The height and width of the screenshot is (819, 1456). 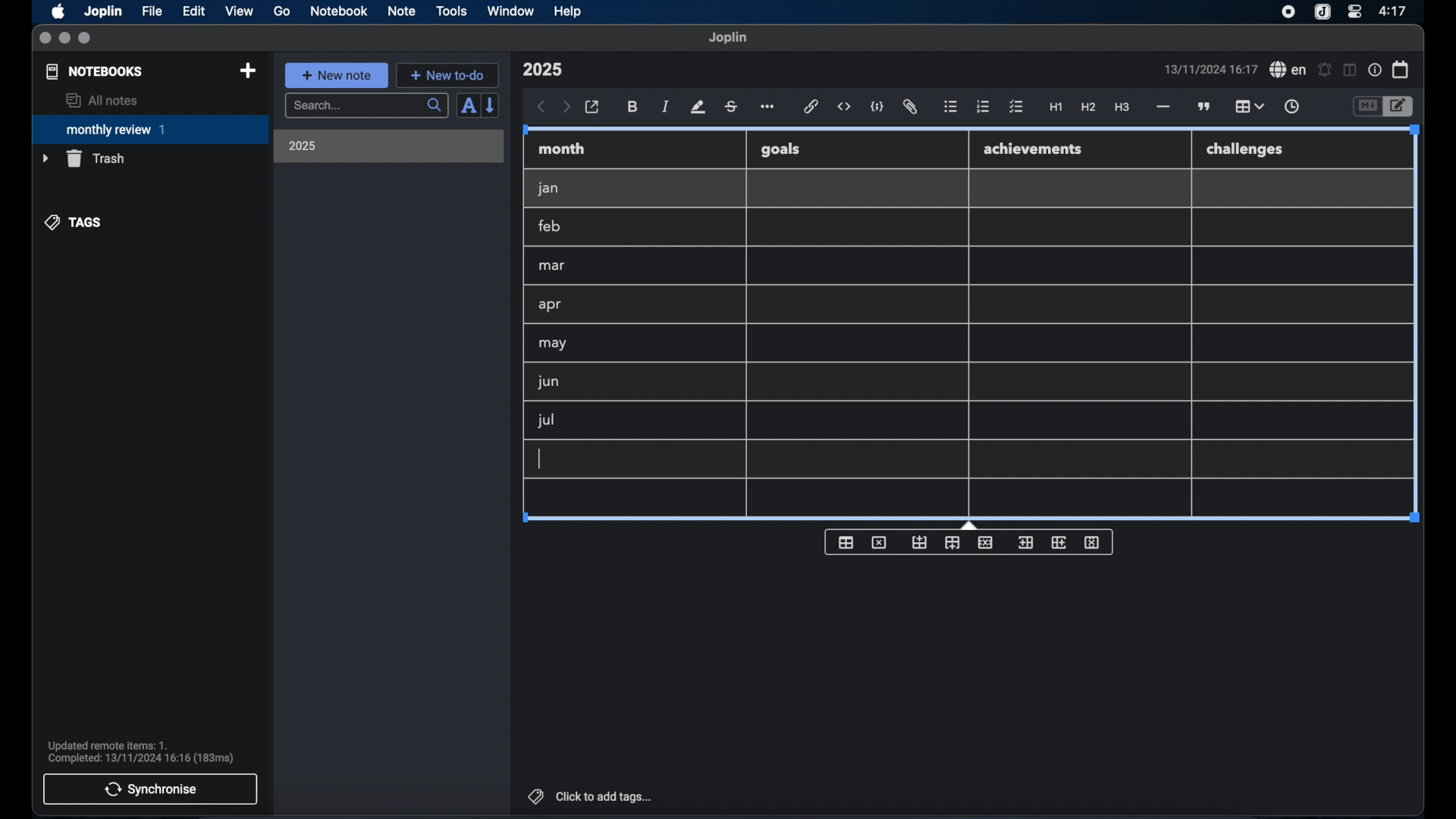 What do you see at coordinates (150, 128) in the screenshot?
I see `monthly review` at bounding box center [150, 128].